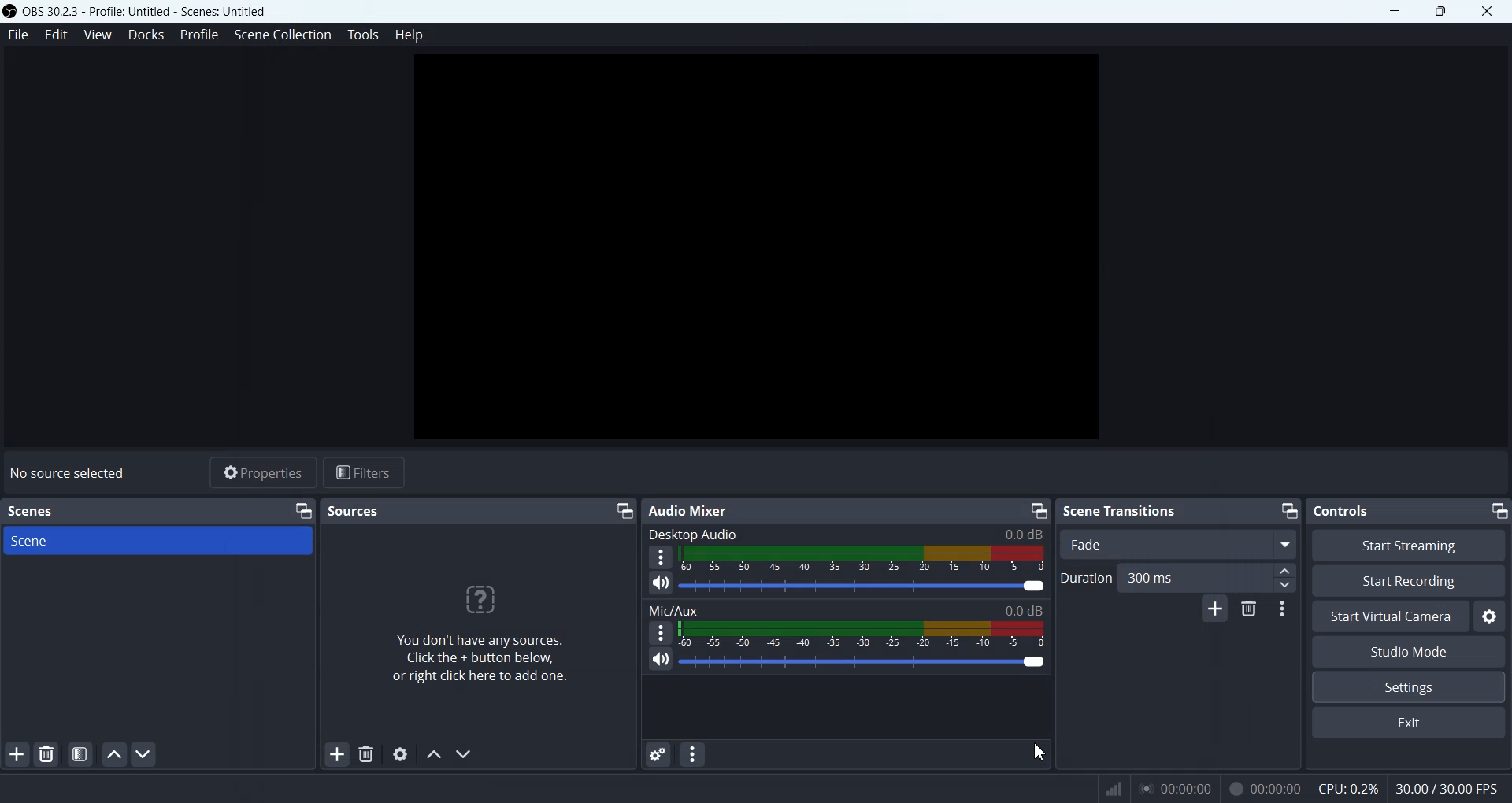 The image size is (1512, 803). I want to click on Settings, so click(1409, 687).